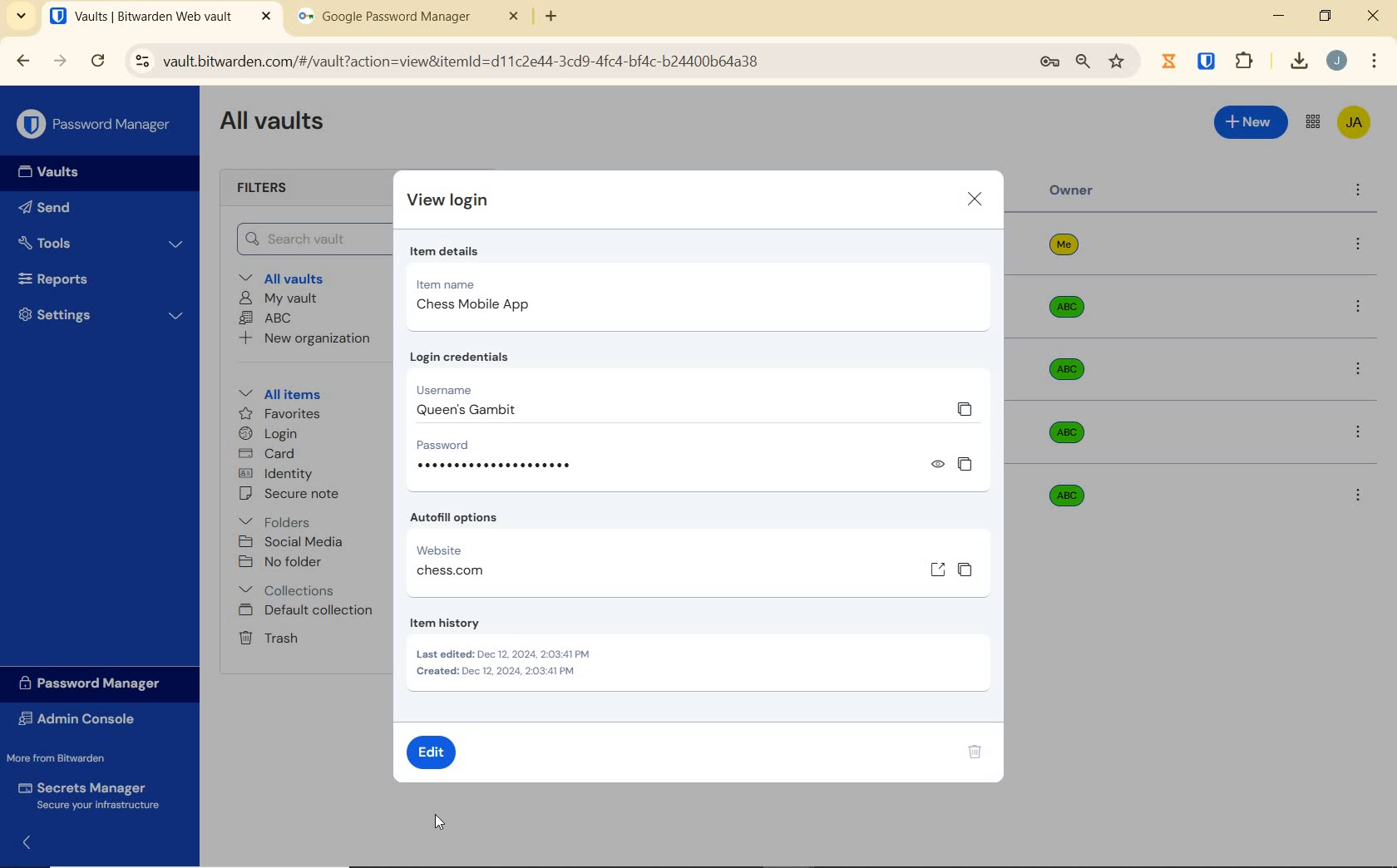  I want to click on close side bar, so click(36, 841).